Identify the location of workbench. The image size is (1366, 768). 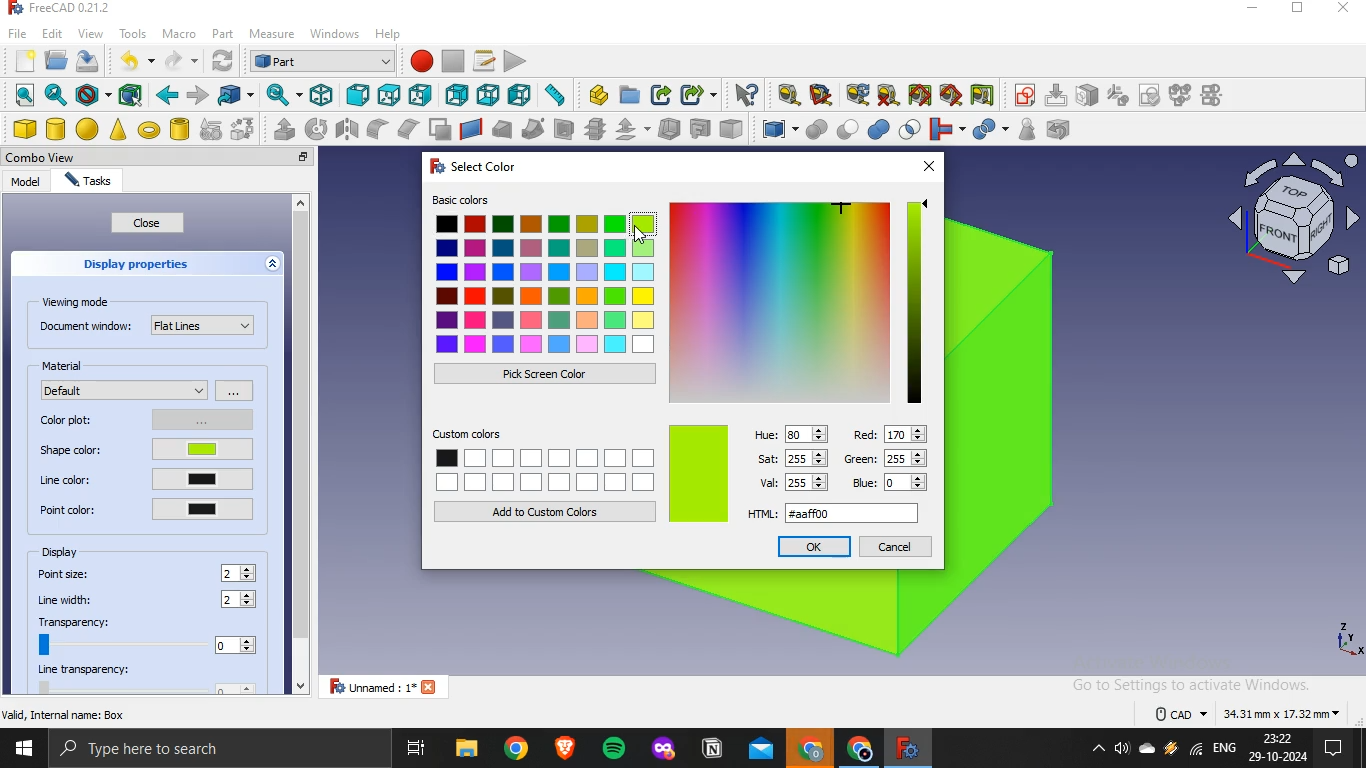
(322, 60).